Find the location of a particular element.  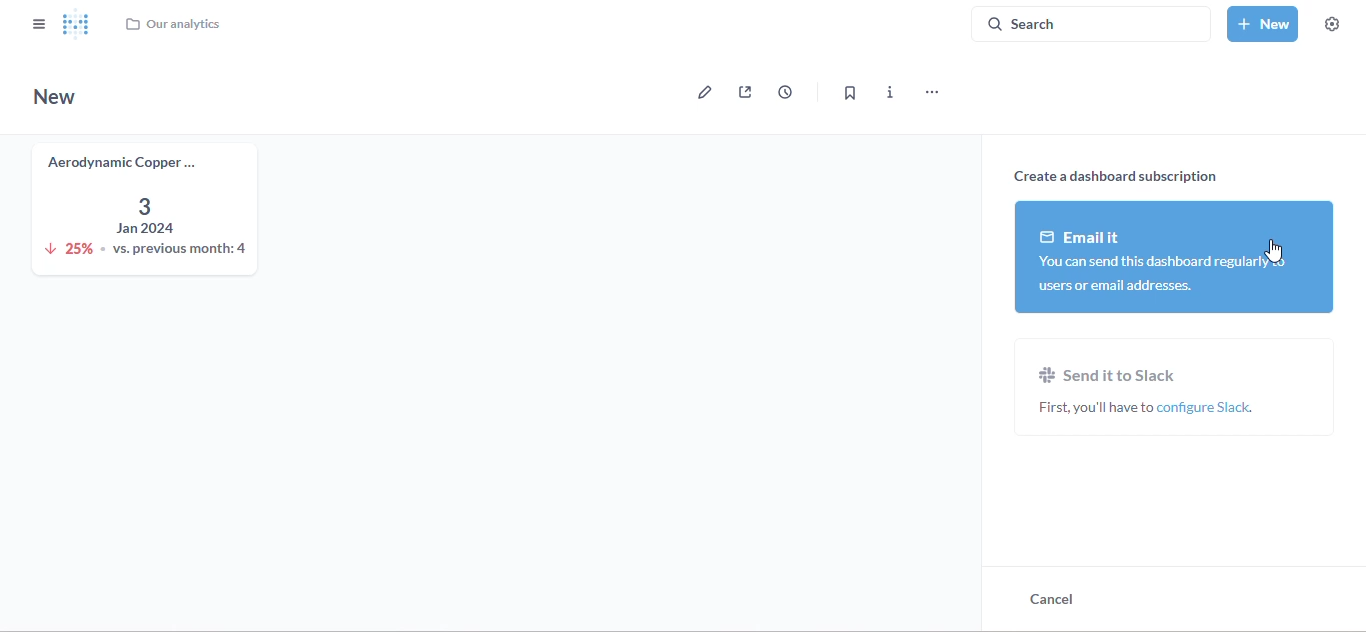

new is located at coordinates (55, 96).